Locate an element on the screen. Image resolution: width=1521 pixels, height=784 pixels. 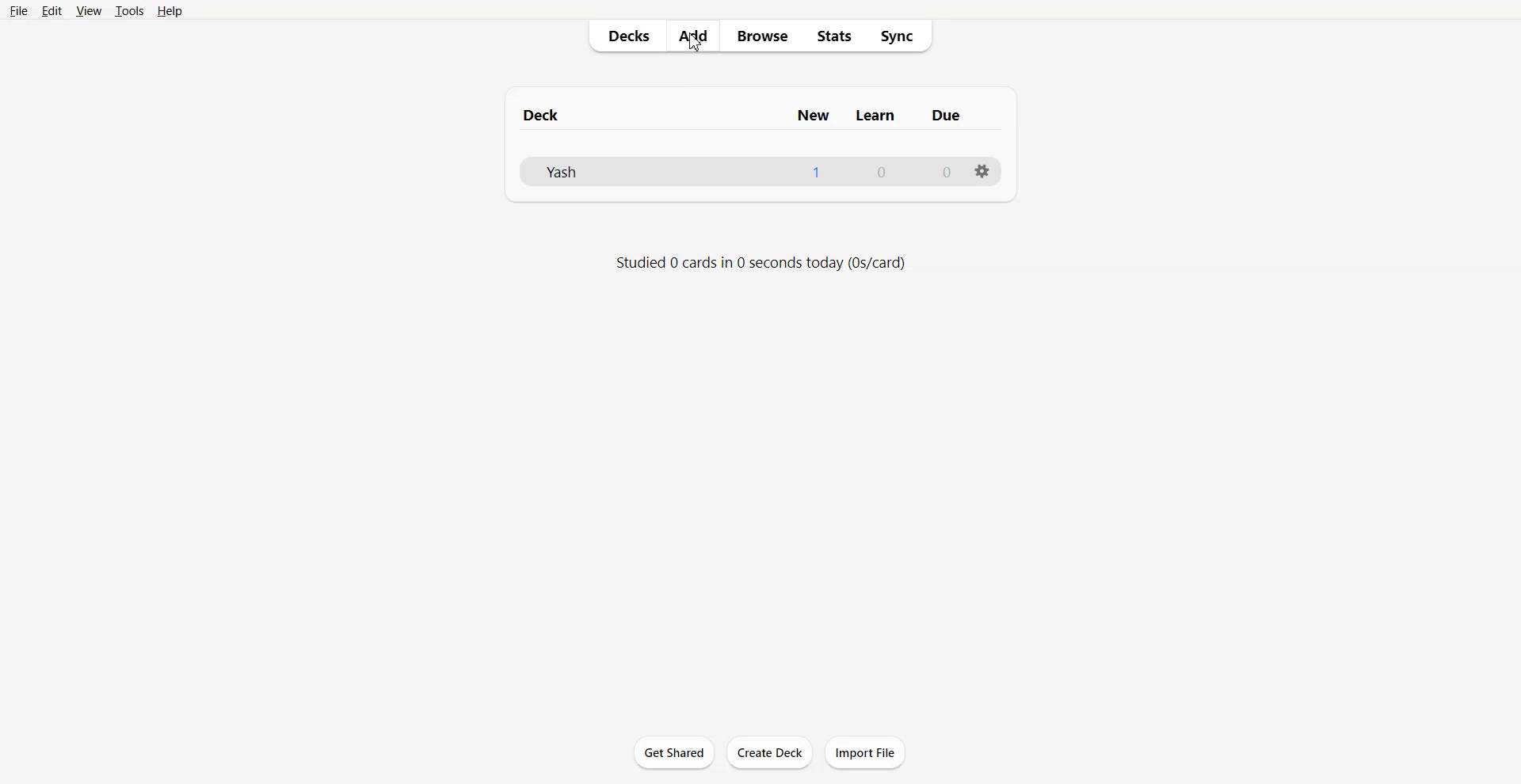
Create Deck is located at coordinates (769, 752).